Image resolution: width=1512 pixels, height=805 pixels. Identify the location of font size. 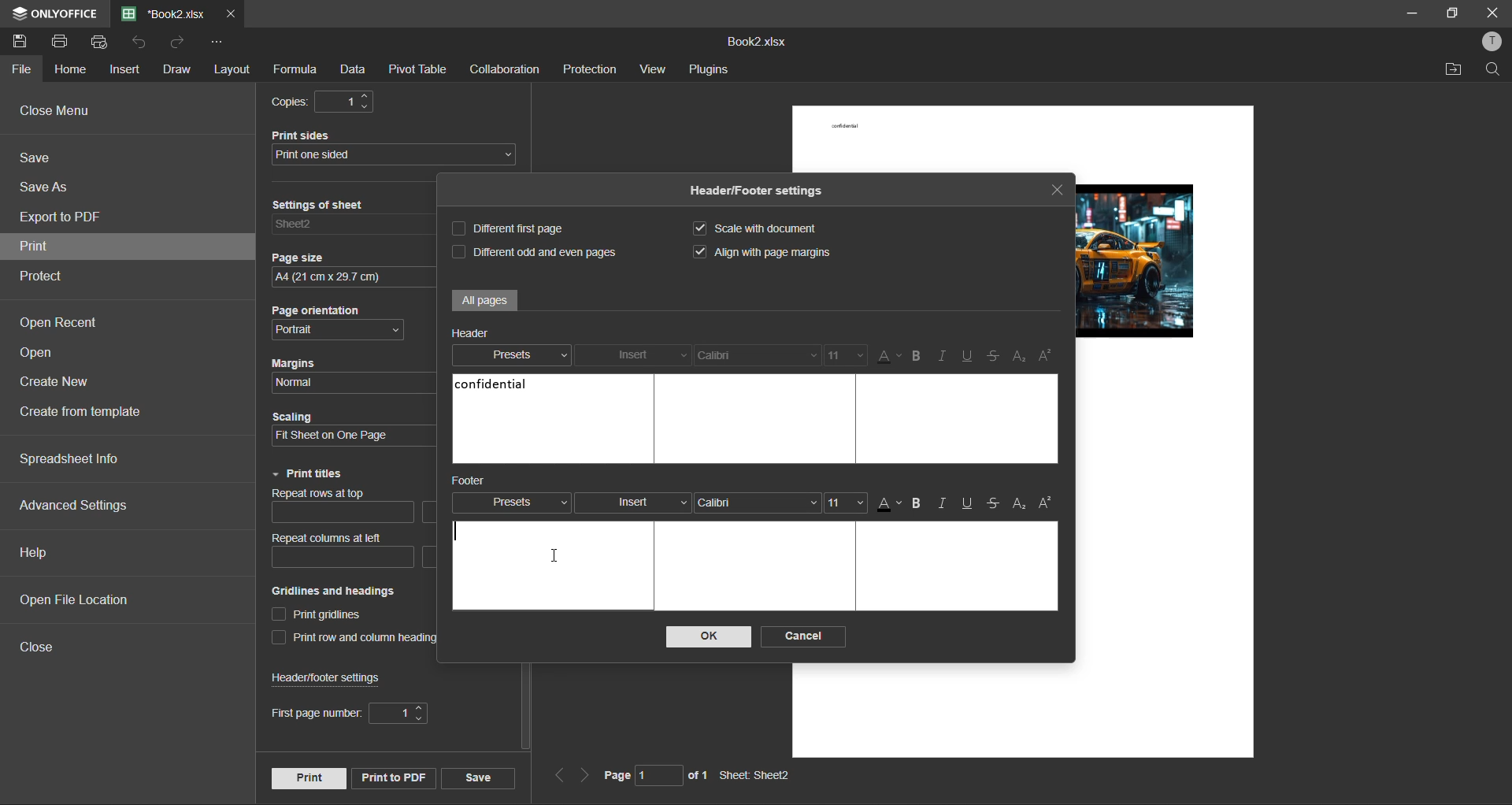
(846, 502).